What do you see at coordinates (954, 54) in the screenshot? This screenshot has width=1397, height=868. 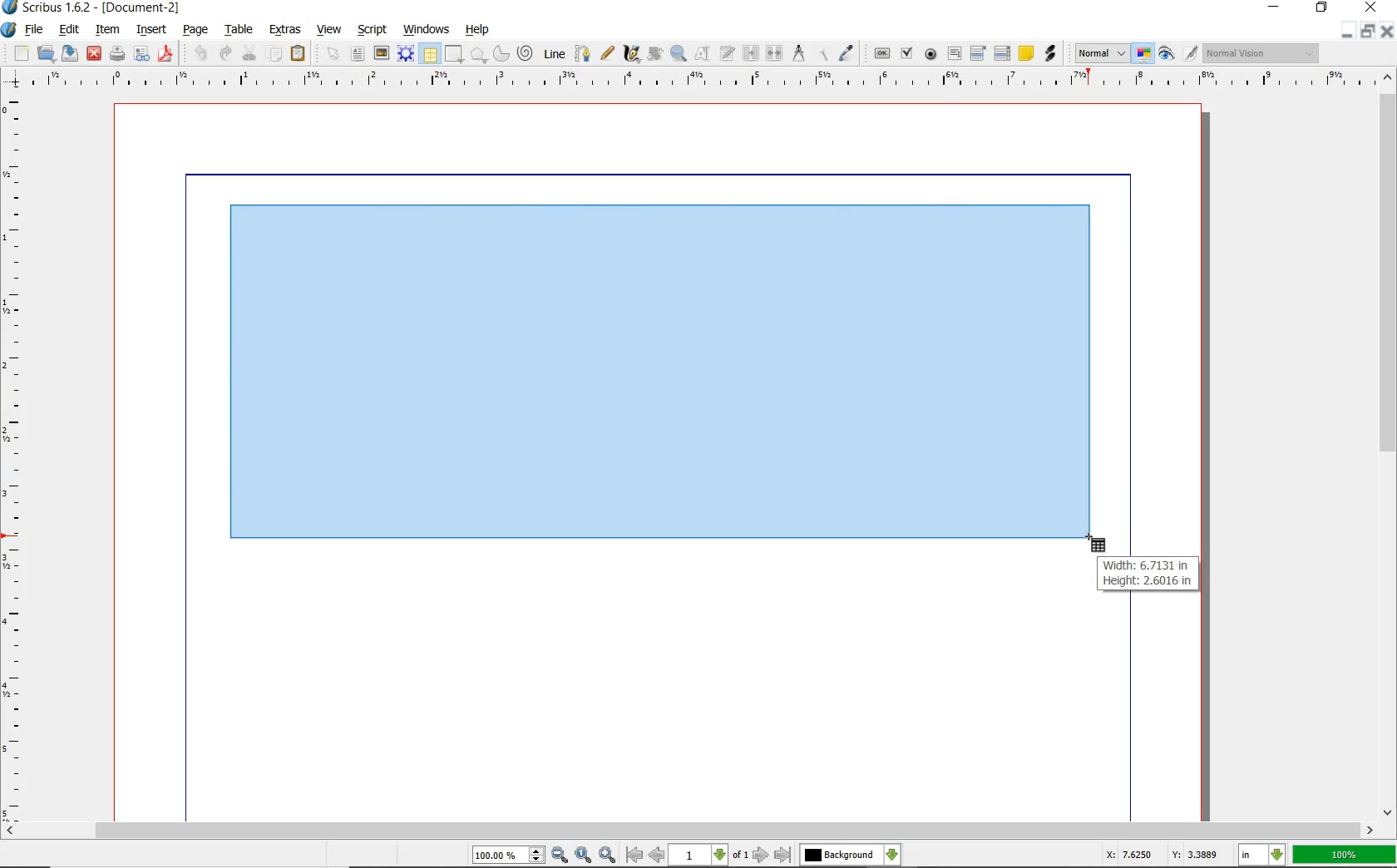 I see `pdf text field` at bounding box center [954, 54].